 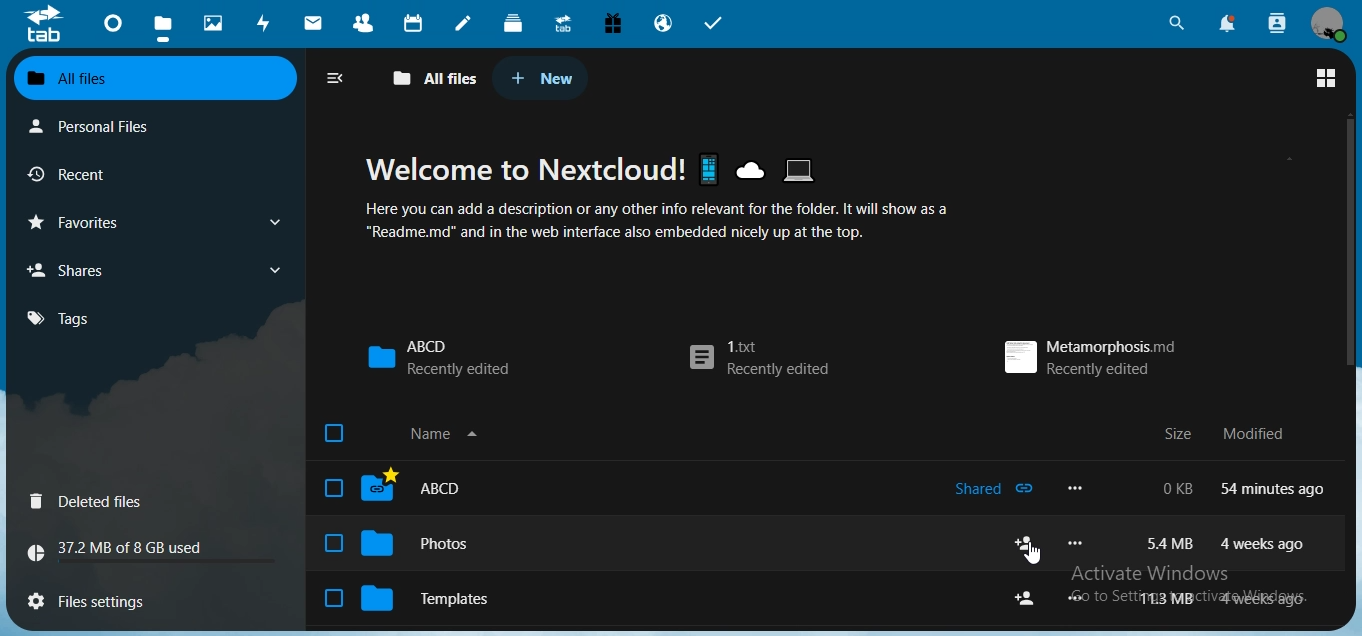 What do you see at coordinates (613, 24) in the screenshot?
I see `free trial` at bounding box center [613, 24].